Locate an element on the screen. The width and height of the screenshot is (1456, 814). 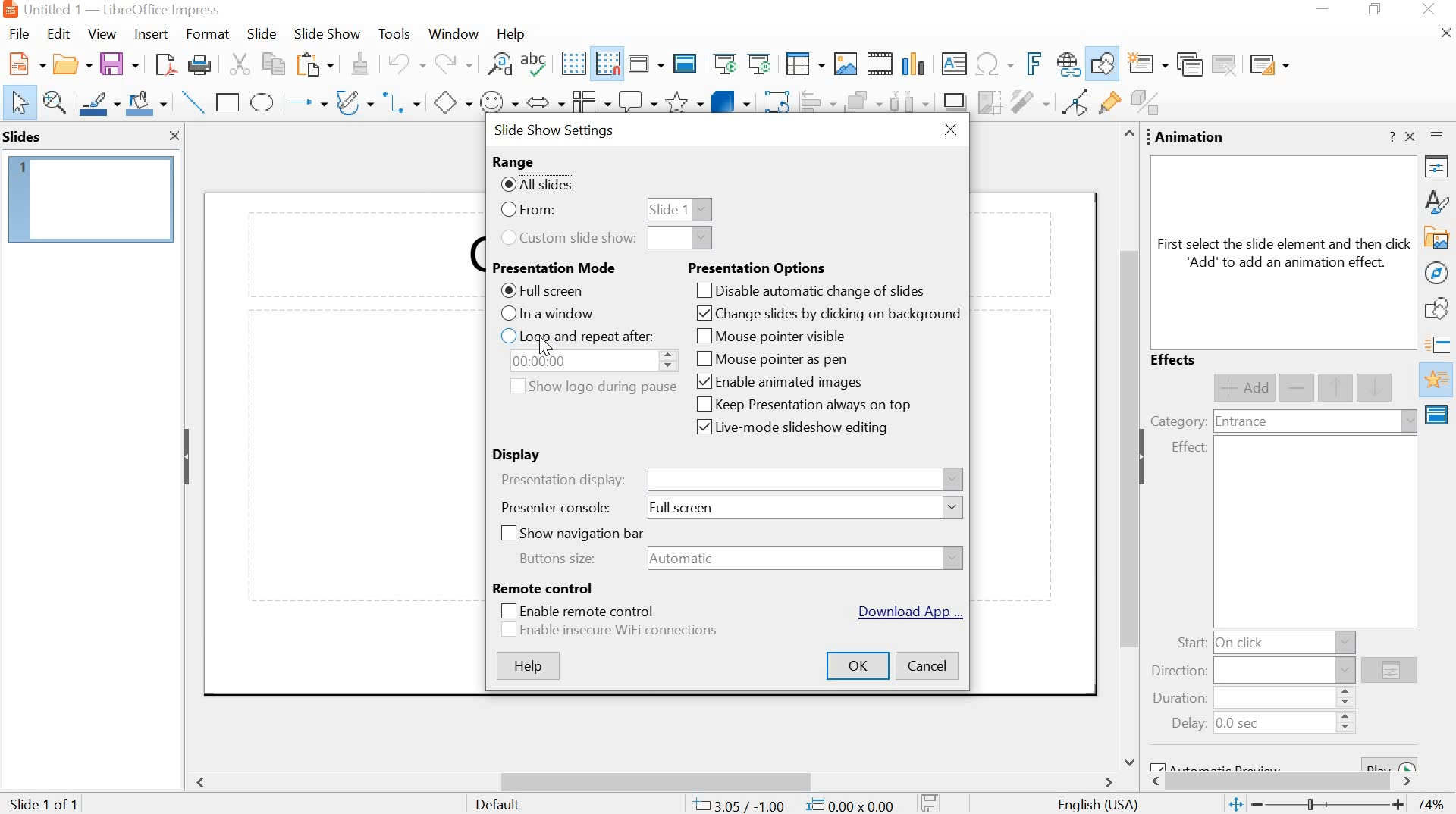
curves and polygons is located at coordinates (354, 102).